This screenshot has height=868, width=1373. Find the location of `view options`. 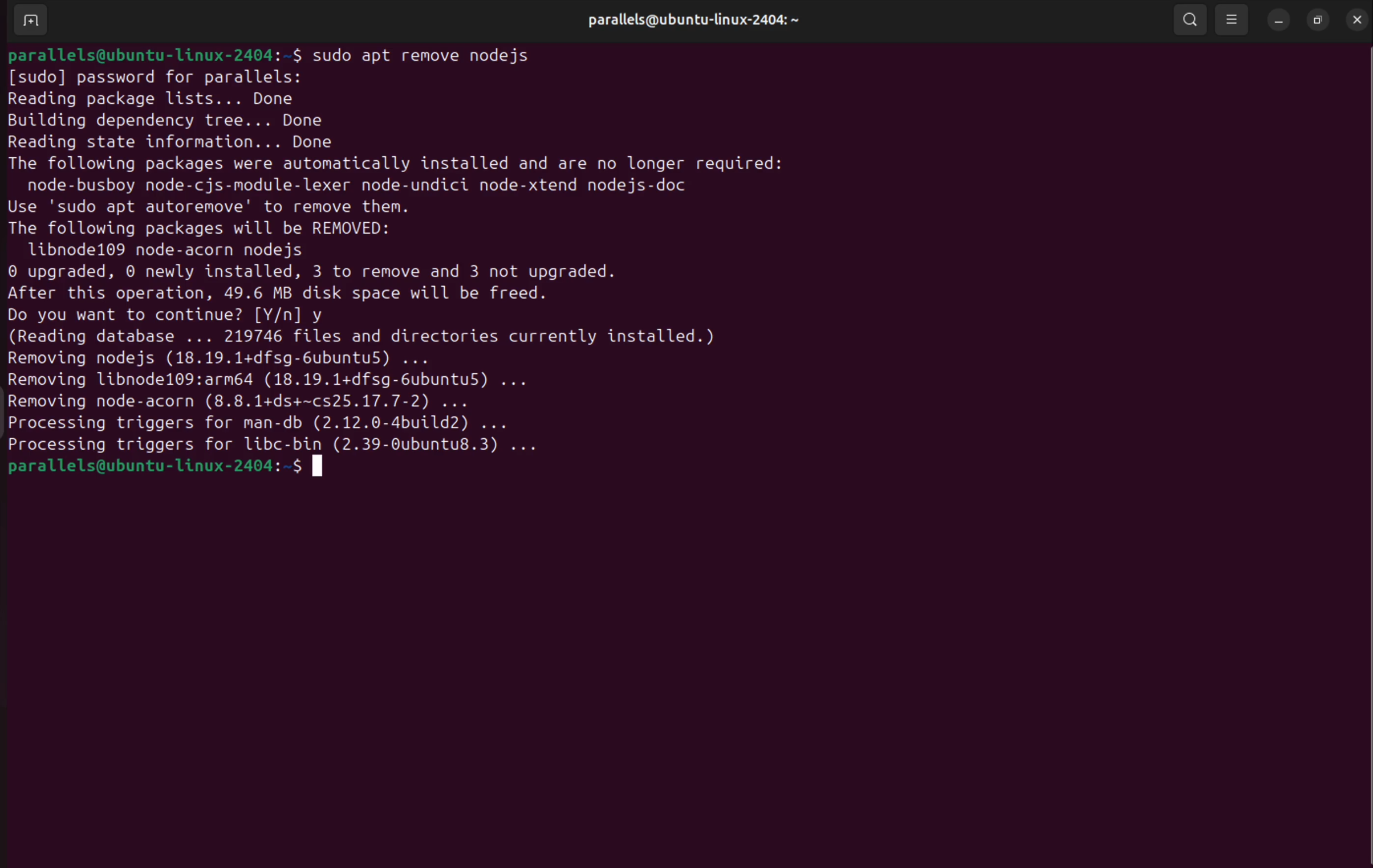

view options is located at coordinates (1231, 21).